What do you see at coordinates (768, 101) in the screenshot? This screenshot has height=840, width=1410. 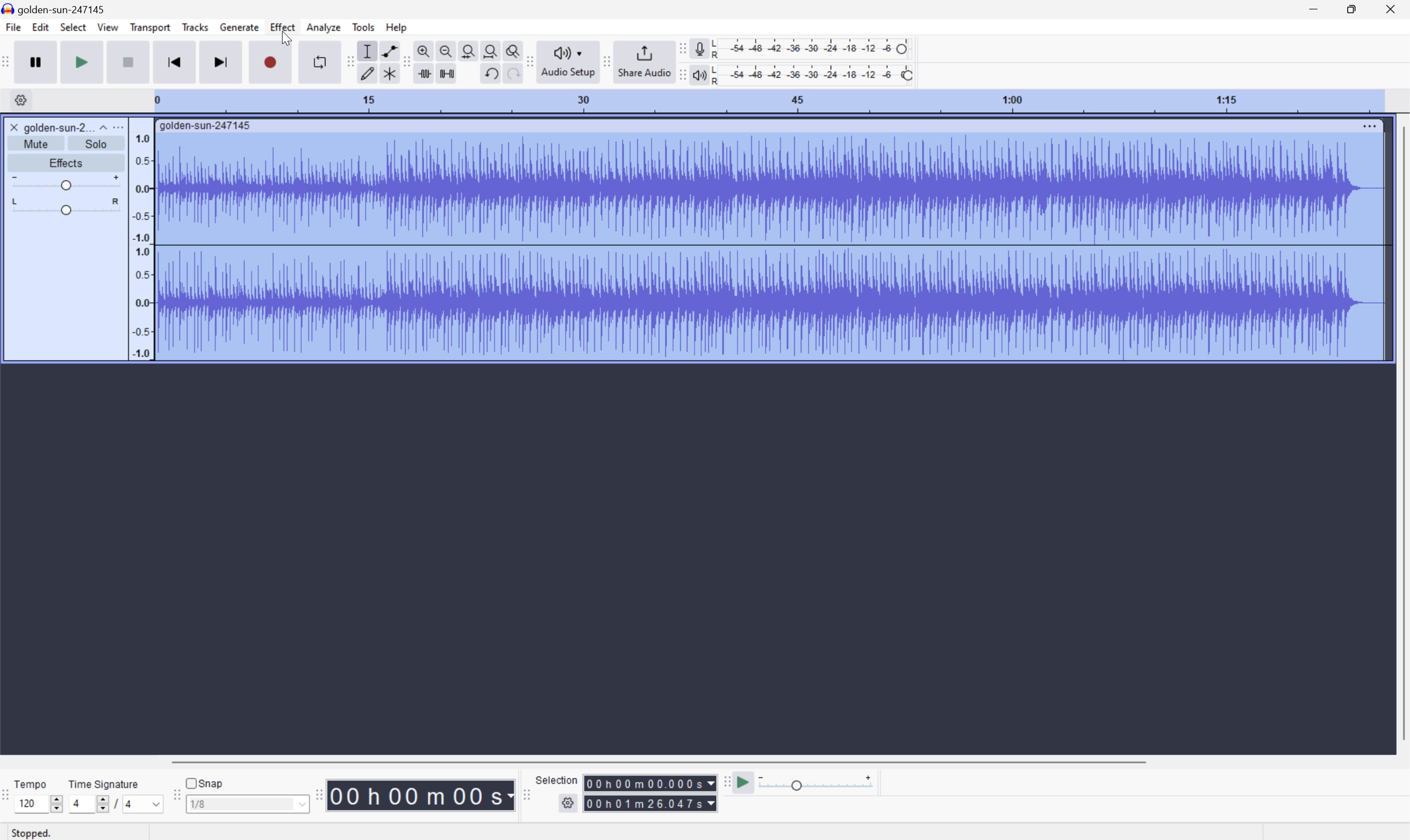 I see `Scale` at bounding box center [768, 101].